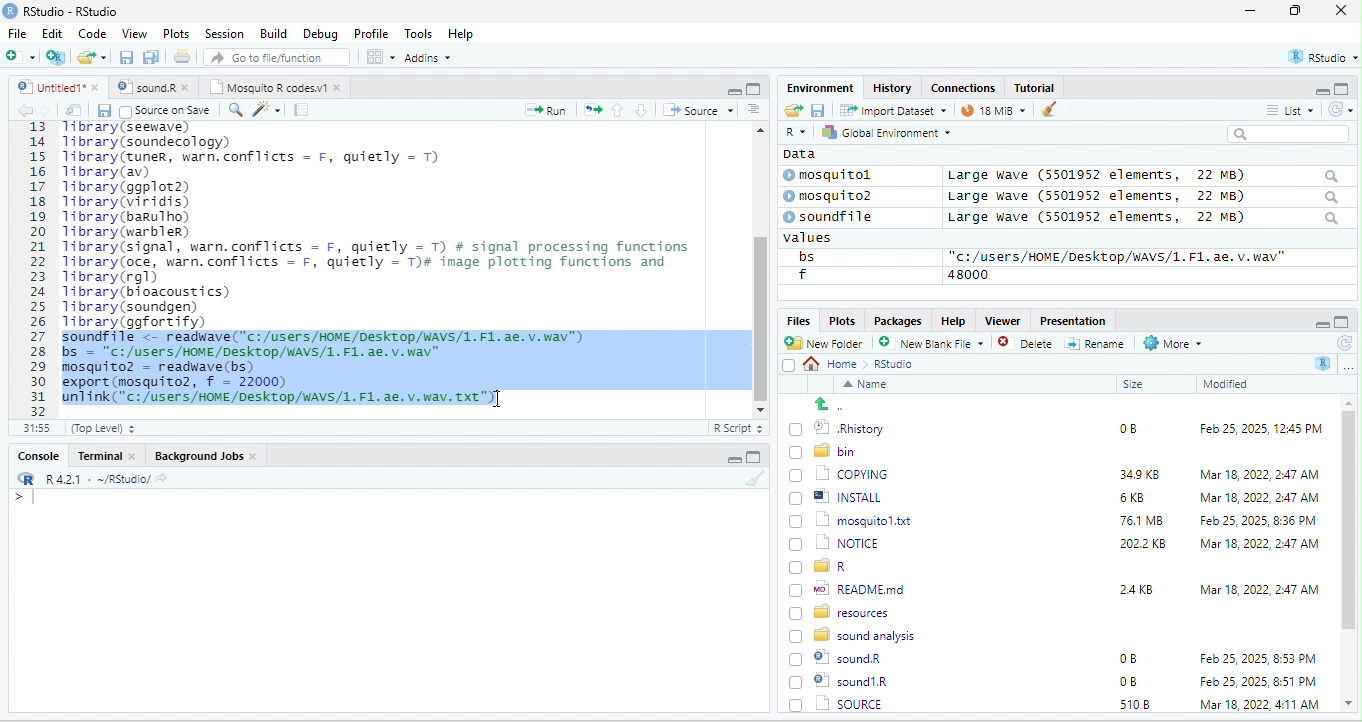 This screenshot has width=1362, height=722. I want to click on down, so click(642, 109).